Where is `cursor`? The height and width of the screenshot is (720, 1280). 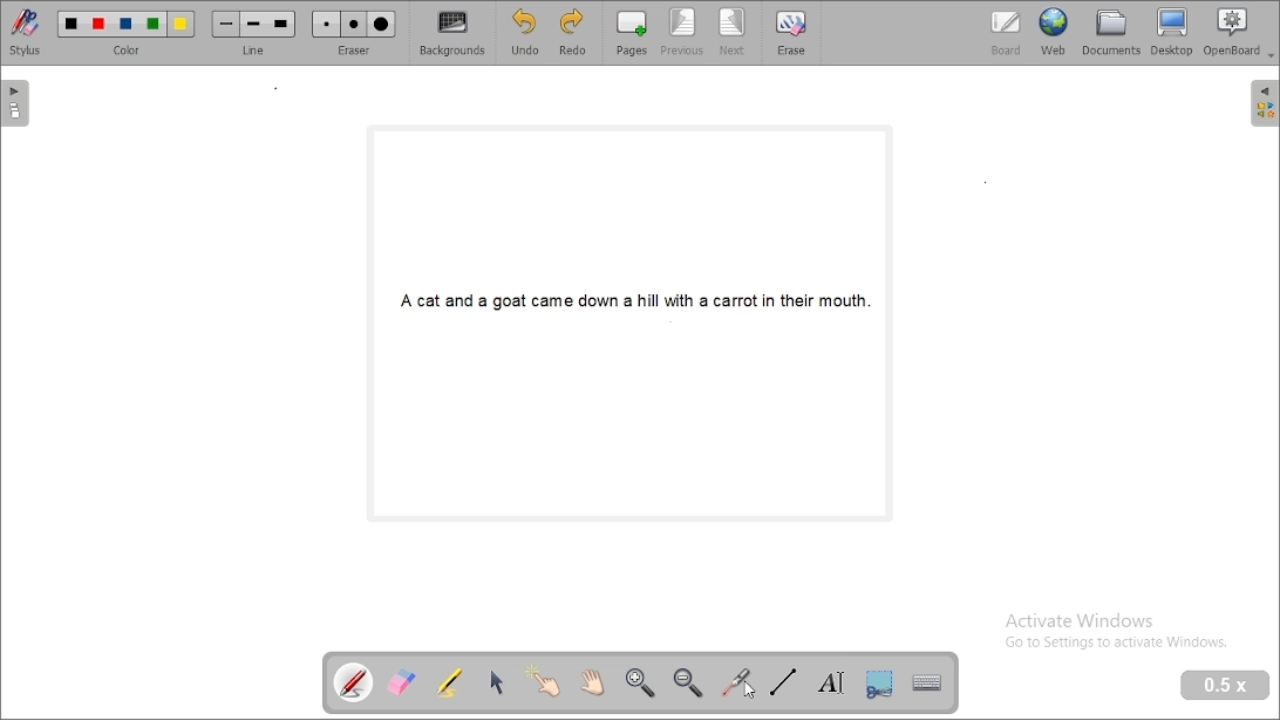 cursor is located at coordinates (753, 689).